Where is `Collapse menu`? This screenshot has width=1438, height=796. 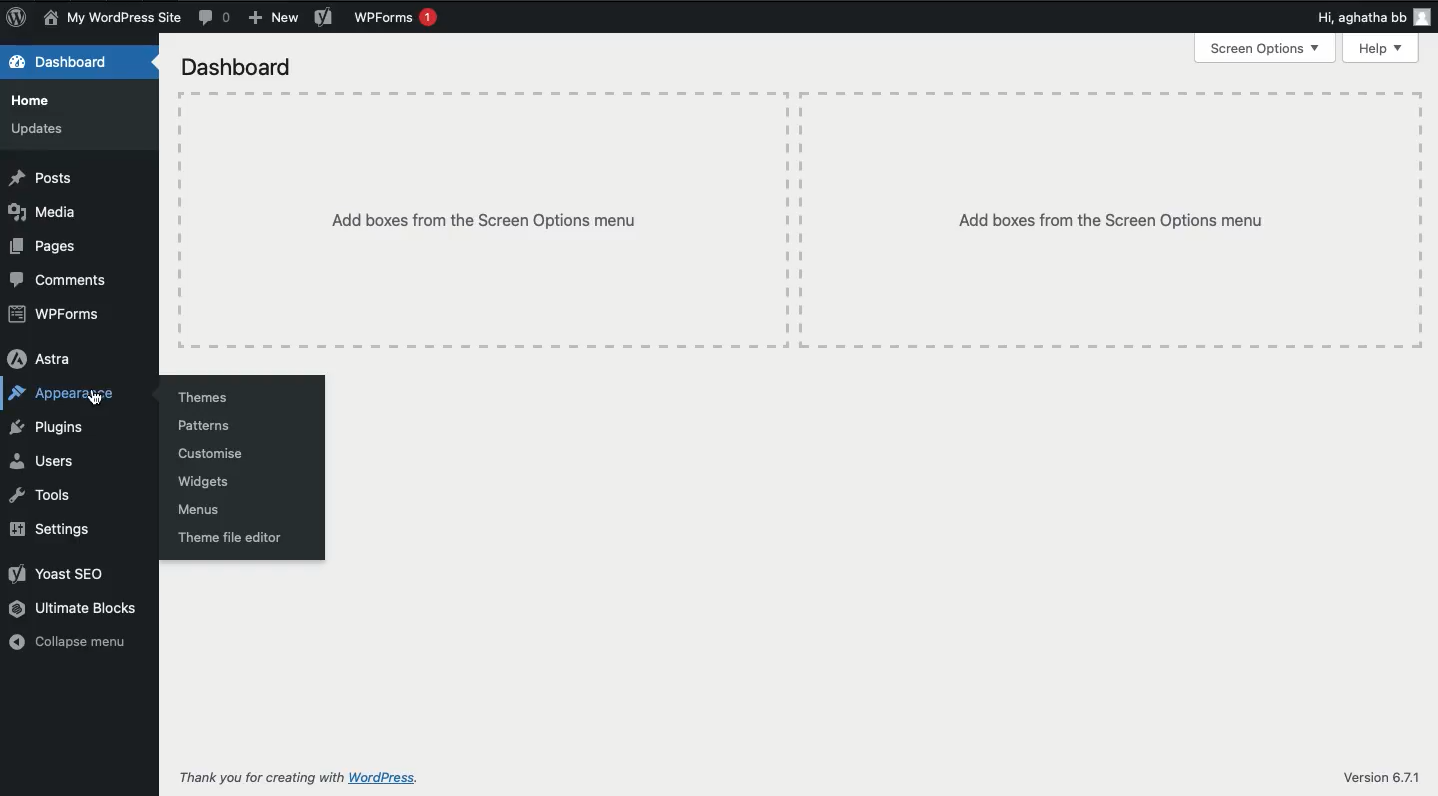 Collapse menu is located at coordinates (75, 643).